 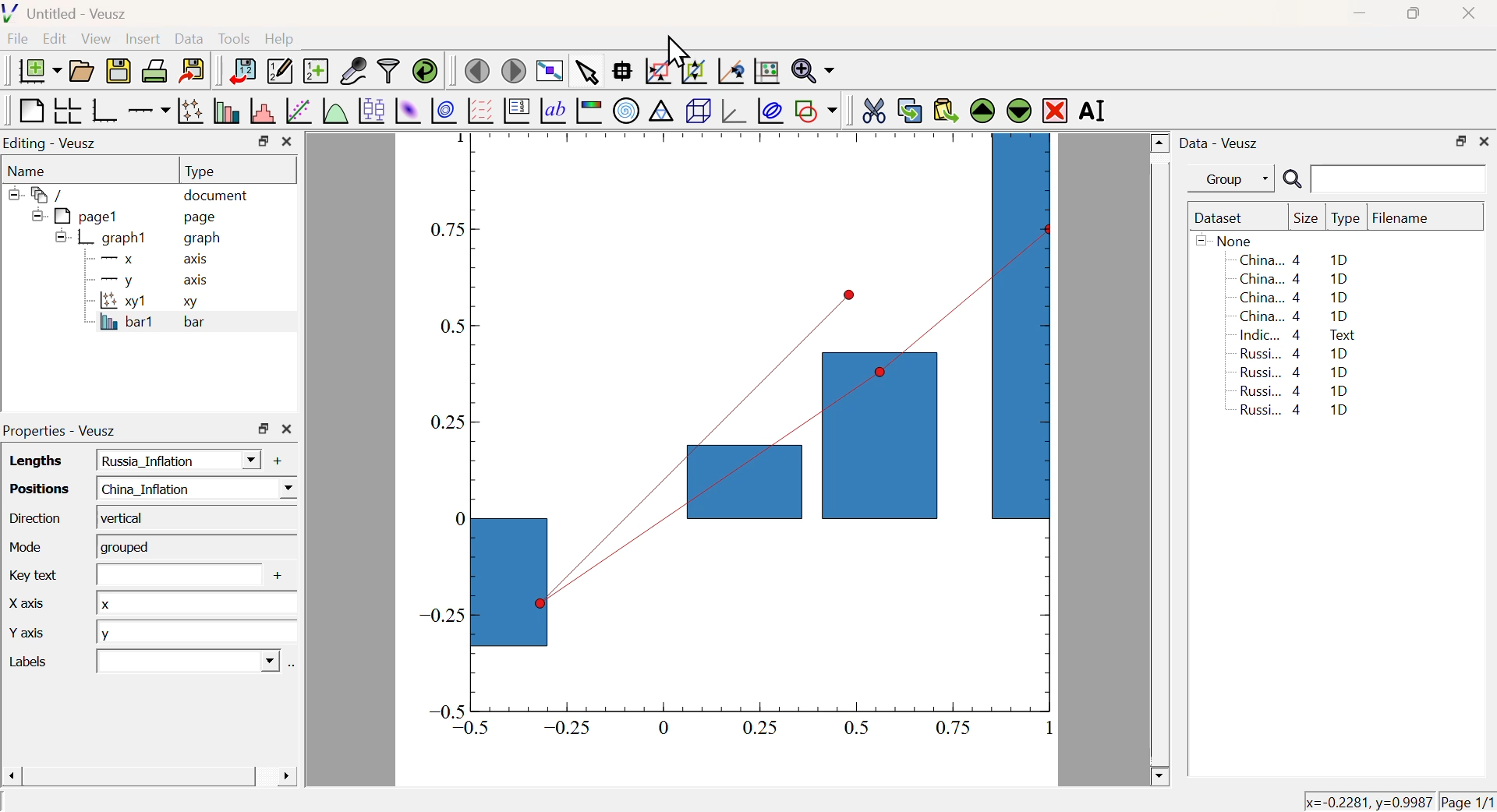 What do you see at coordinates (735, 112) in the screenshot?
I see `3D graph` at bounding box center [735, 112].